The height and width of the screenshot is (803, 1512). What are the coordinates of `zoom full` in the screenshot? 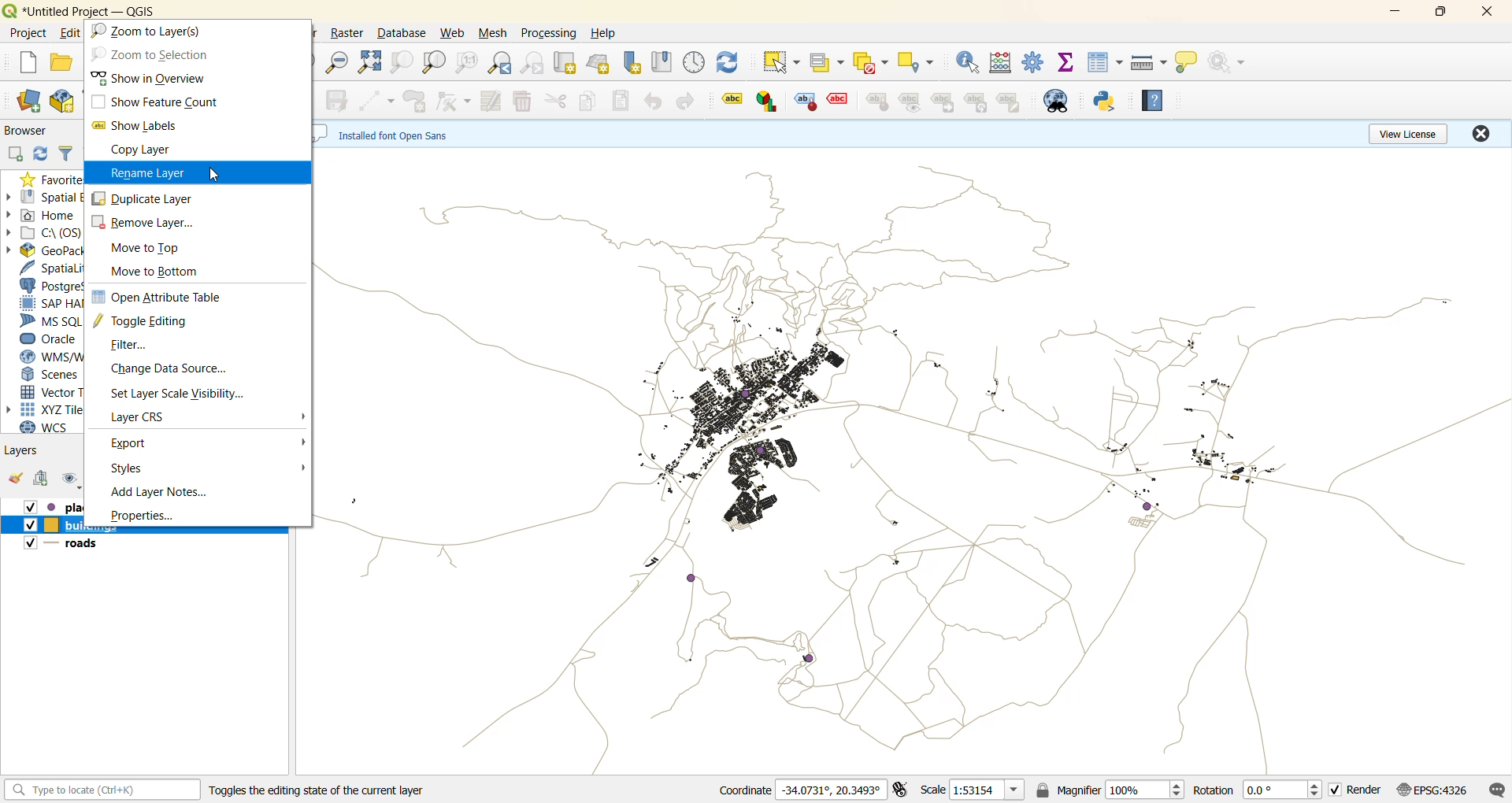 It's located at (371, 62).